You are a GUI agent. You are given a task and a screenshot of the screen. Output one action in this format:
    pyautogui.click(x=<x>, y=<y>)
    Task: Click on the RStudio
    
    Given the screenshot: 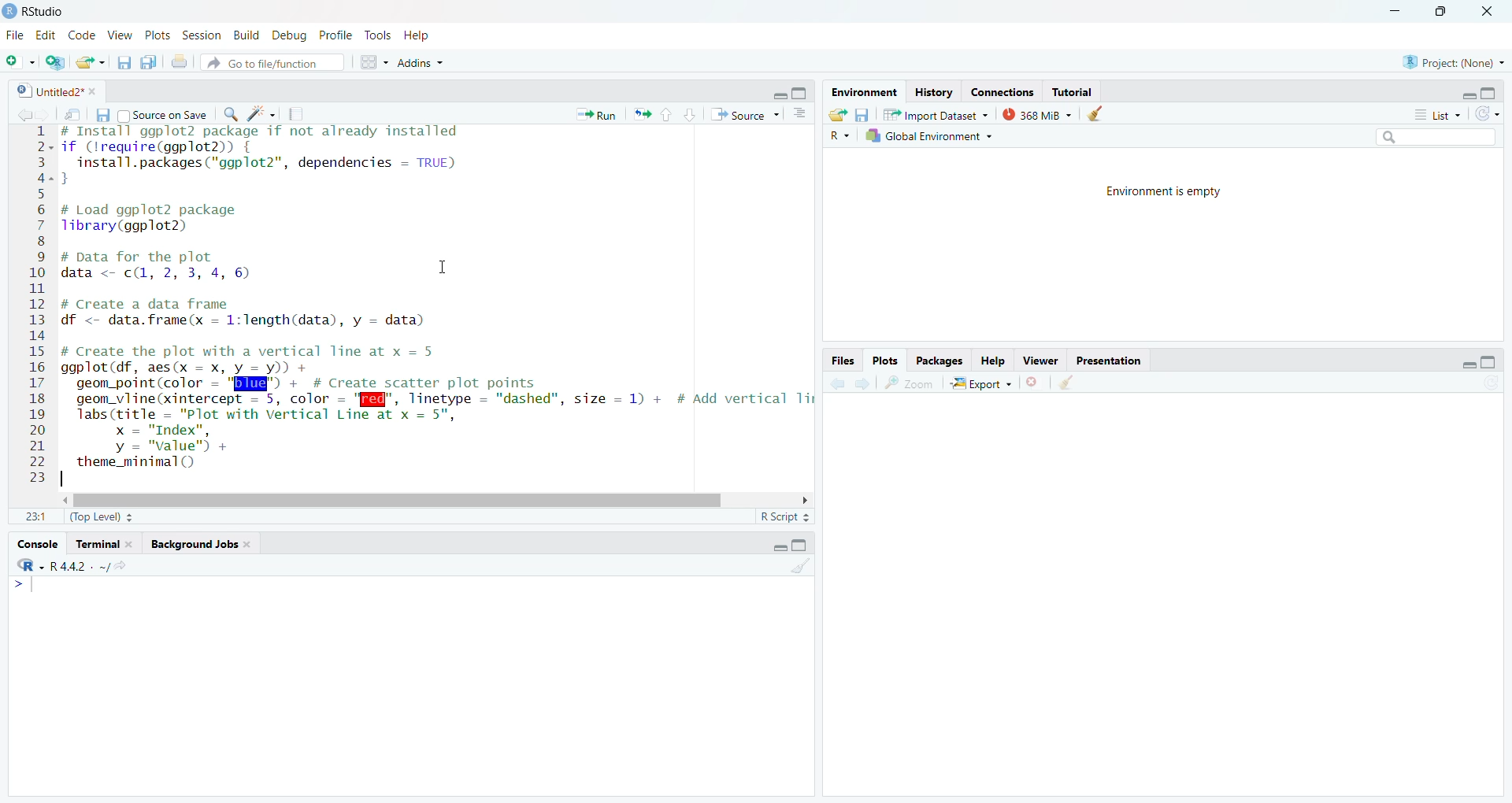 What is the action you would take?
    pyautogui.click(x=38, y=12)
    